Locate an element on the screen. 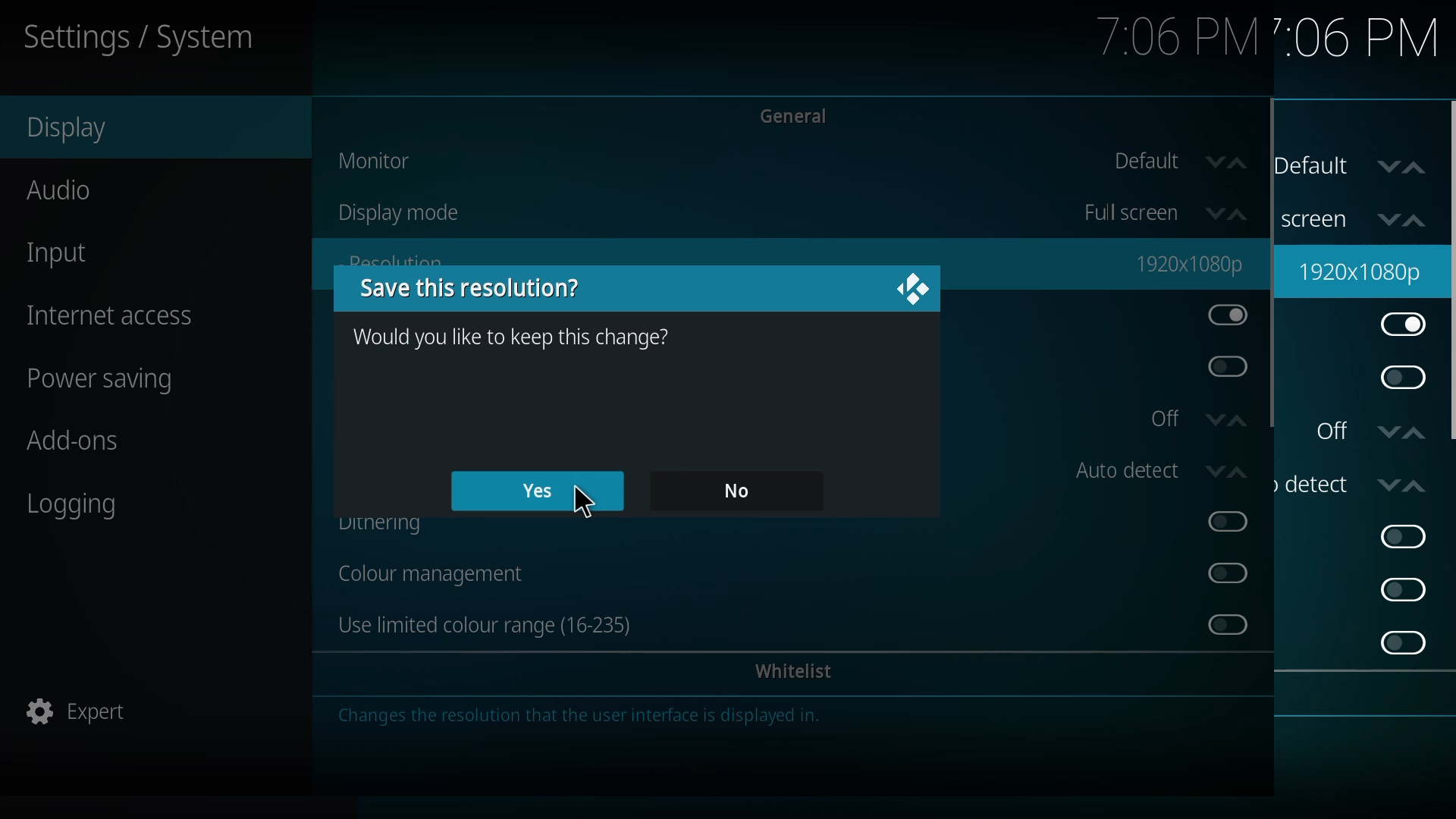 Image resolution: width=1456 pixels, height=819 pixels. disabled is located at coordinates (1222, 524).